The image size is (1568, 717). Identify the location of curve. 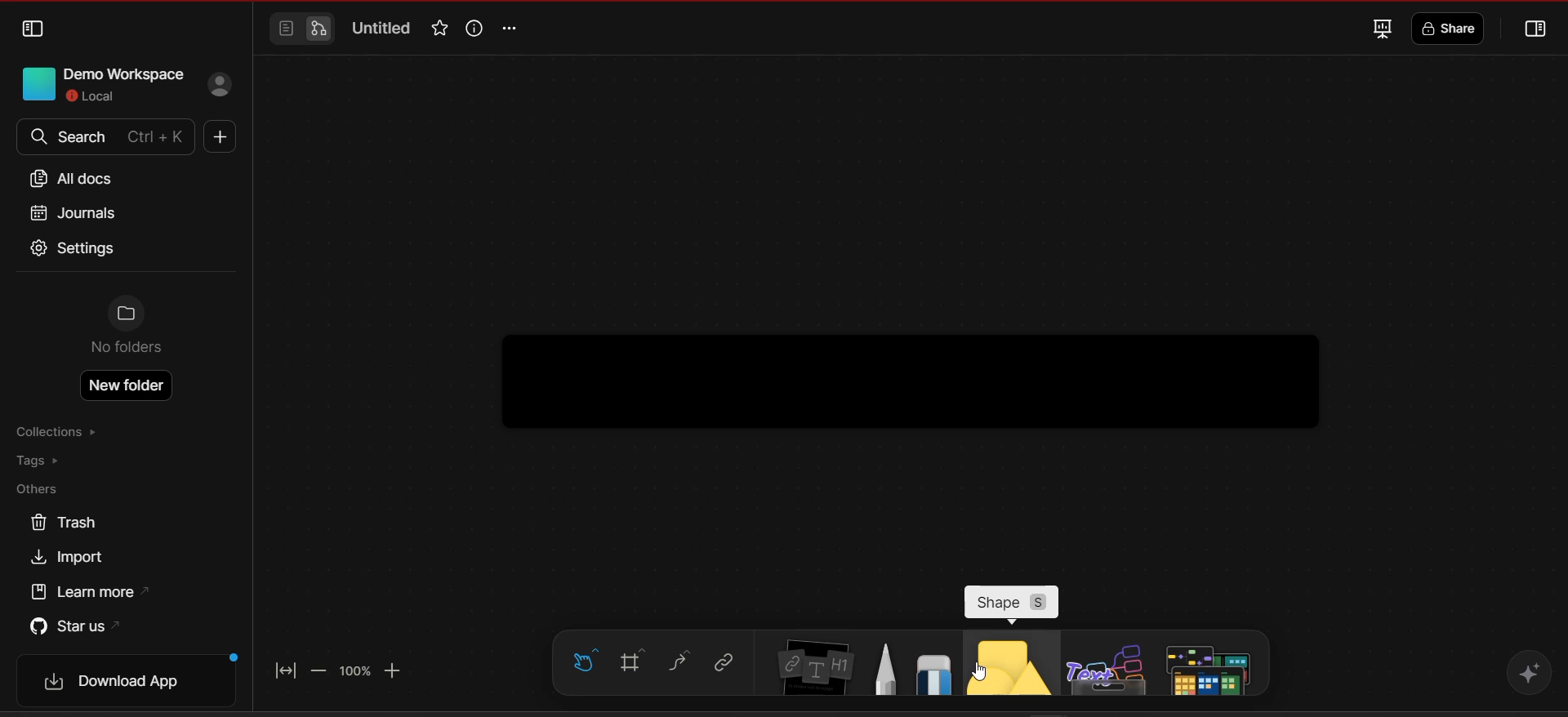
(681, 661).